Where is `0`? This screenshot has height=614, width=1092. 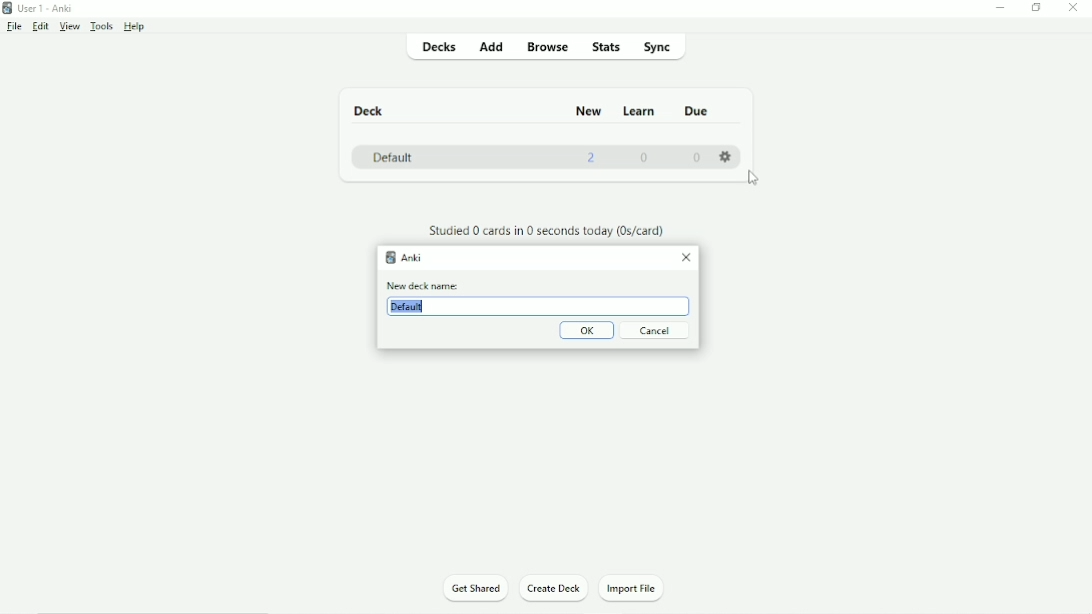
0 is located at coordinates (697, 157).